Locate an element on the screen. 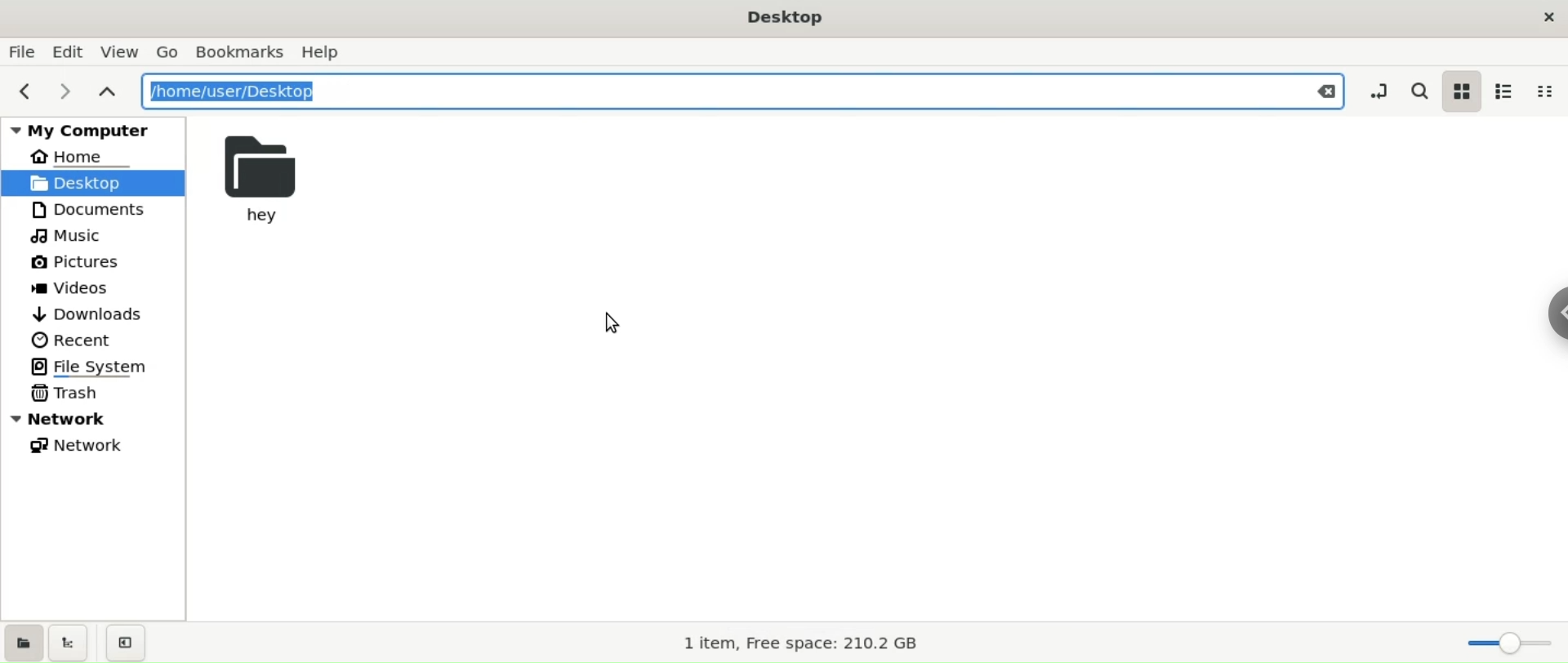 This screenshot has width=1568, height=663. 1 item, Free space: 210.2 GB is located at coordinates (816, 644).